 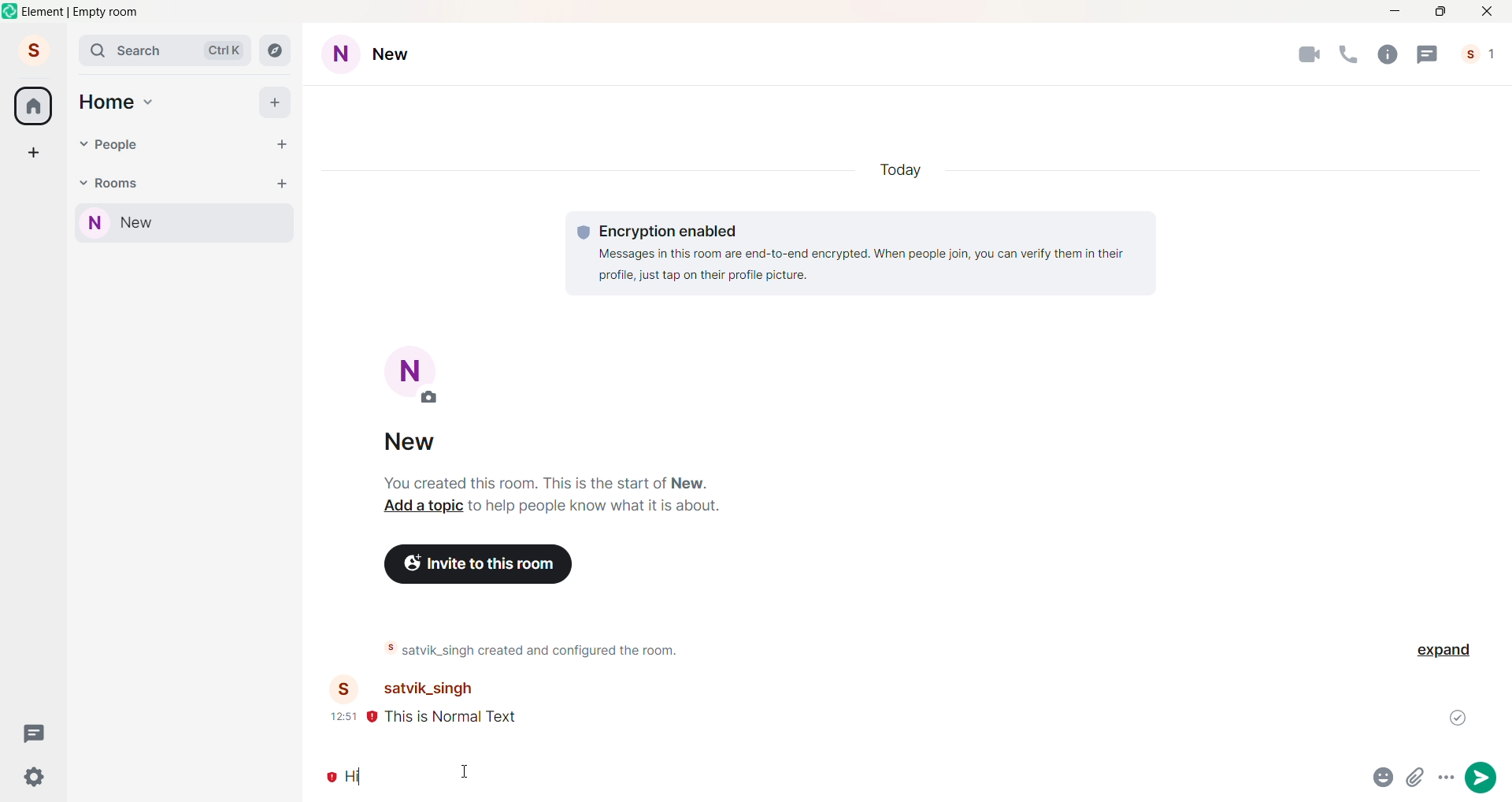 What do you see at coordinates (1447, 778) in the screenshot?
I see `more options` at bounding box center [1447, 778].